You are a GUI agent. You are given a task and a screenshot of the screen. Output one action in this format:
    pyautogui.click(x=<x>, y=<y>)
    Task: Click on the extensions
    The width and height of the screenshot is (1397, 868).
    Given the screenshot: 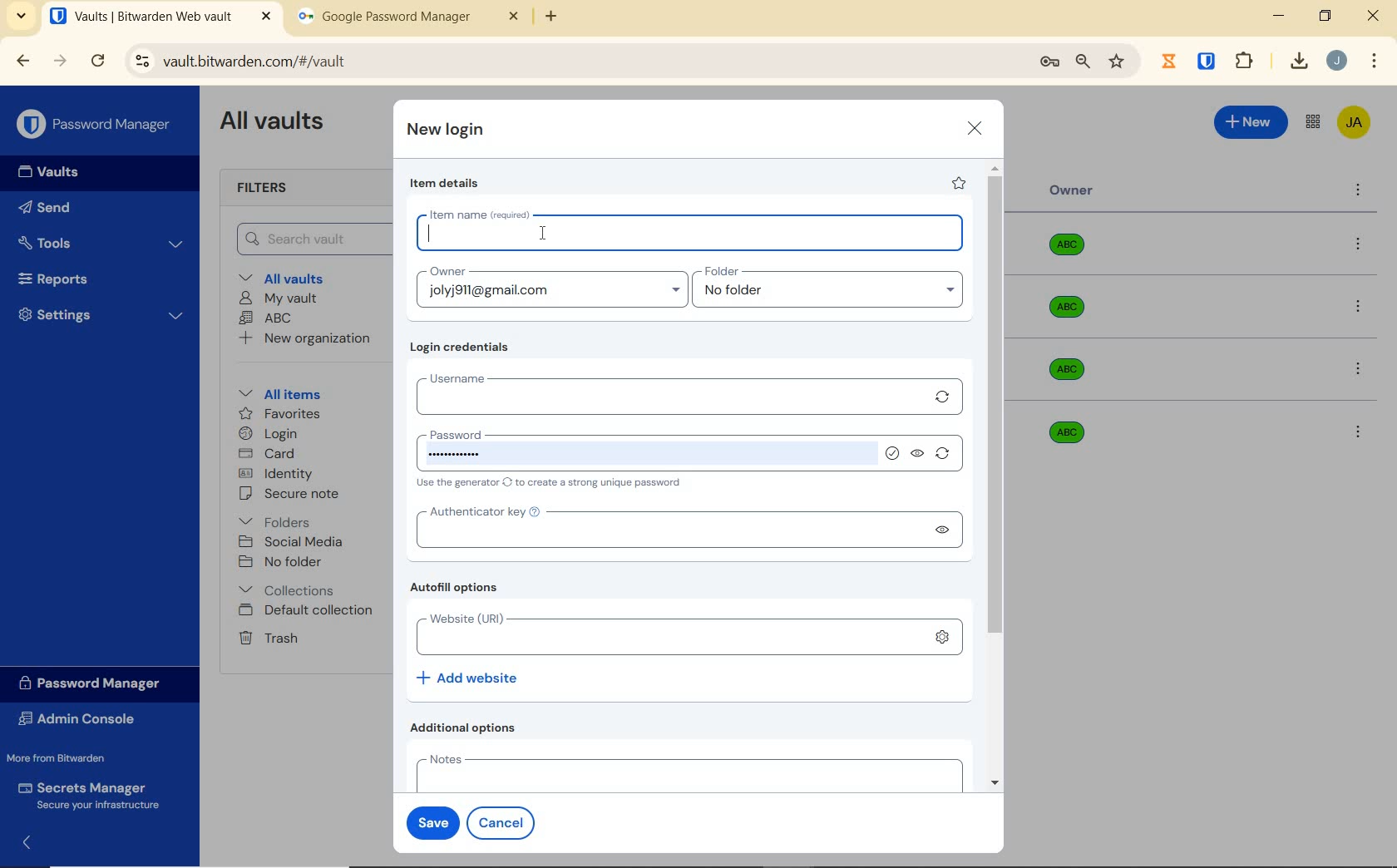 What is the action you would take?
    pyautogui.click(x=1208, y=60)
    